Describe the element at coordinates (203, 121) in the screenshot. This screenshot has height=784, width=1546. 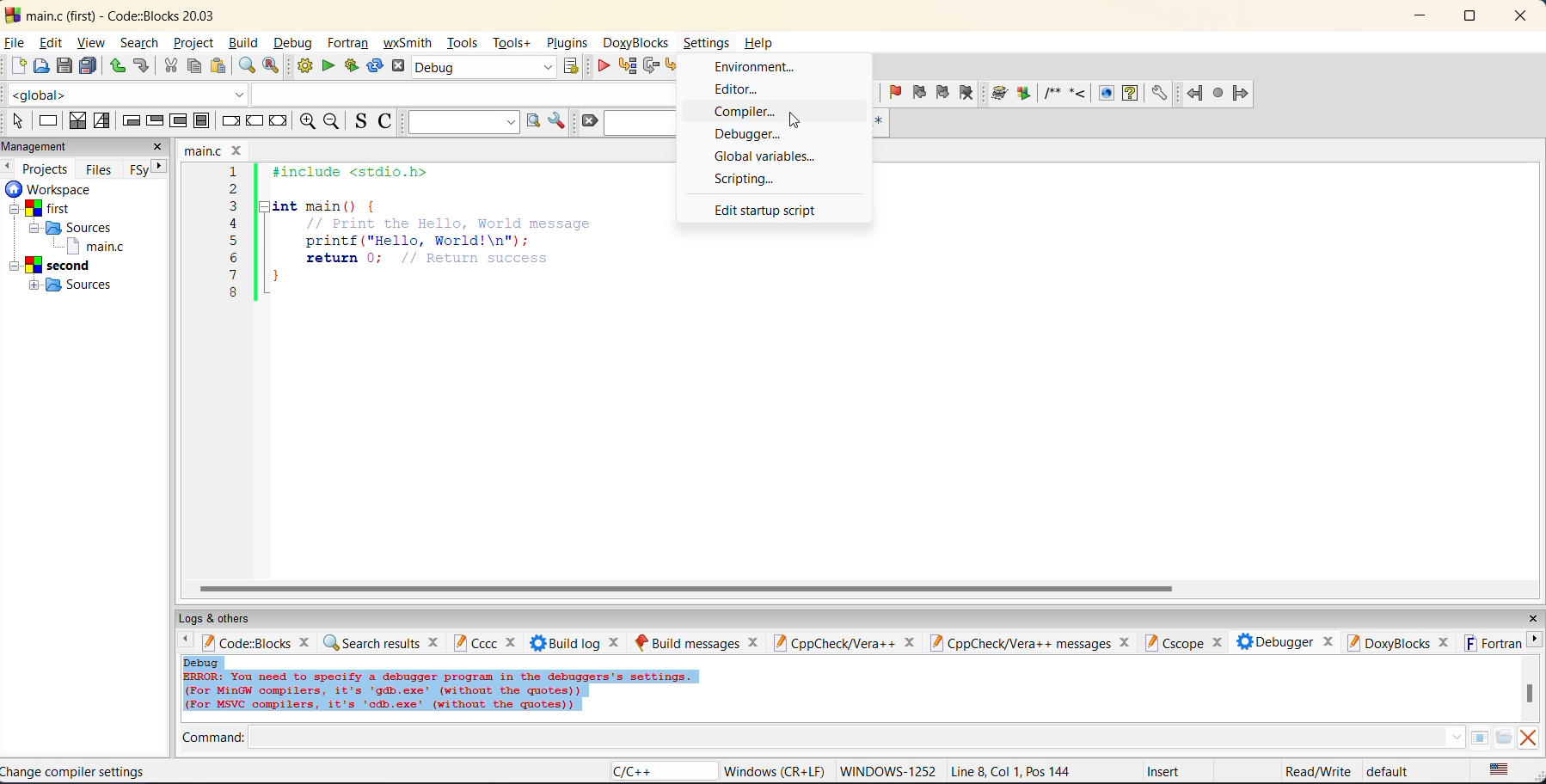
I see `block instruction` at that location.